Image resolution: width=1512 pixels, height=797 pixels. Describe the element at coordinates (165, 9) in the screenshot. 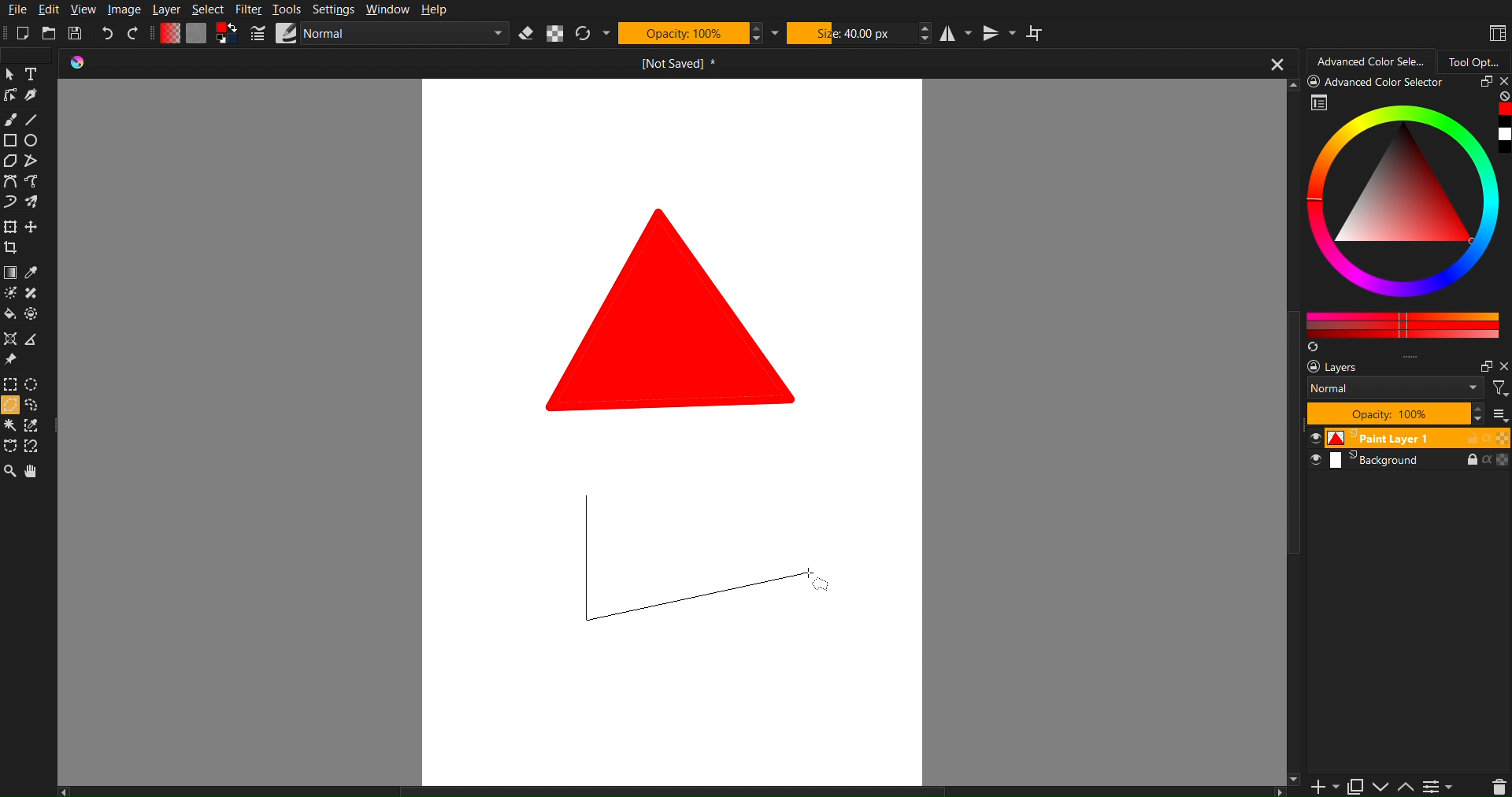

I see `Layer` at that location.